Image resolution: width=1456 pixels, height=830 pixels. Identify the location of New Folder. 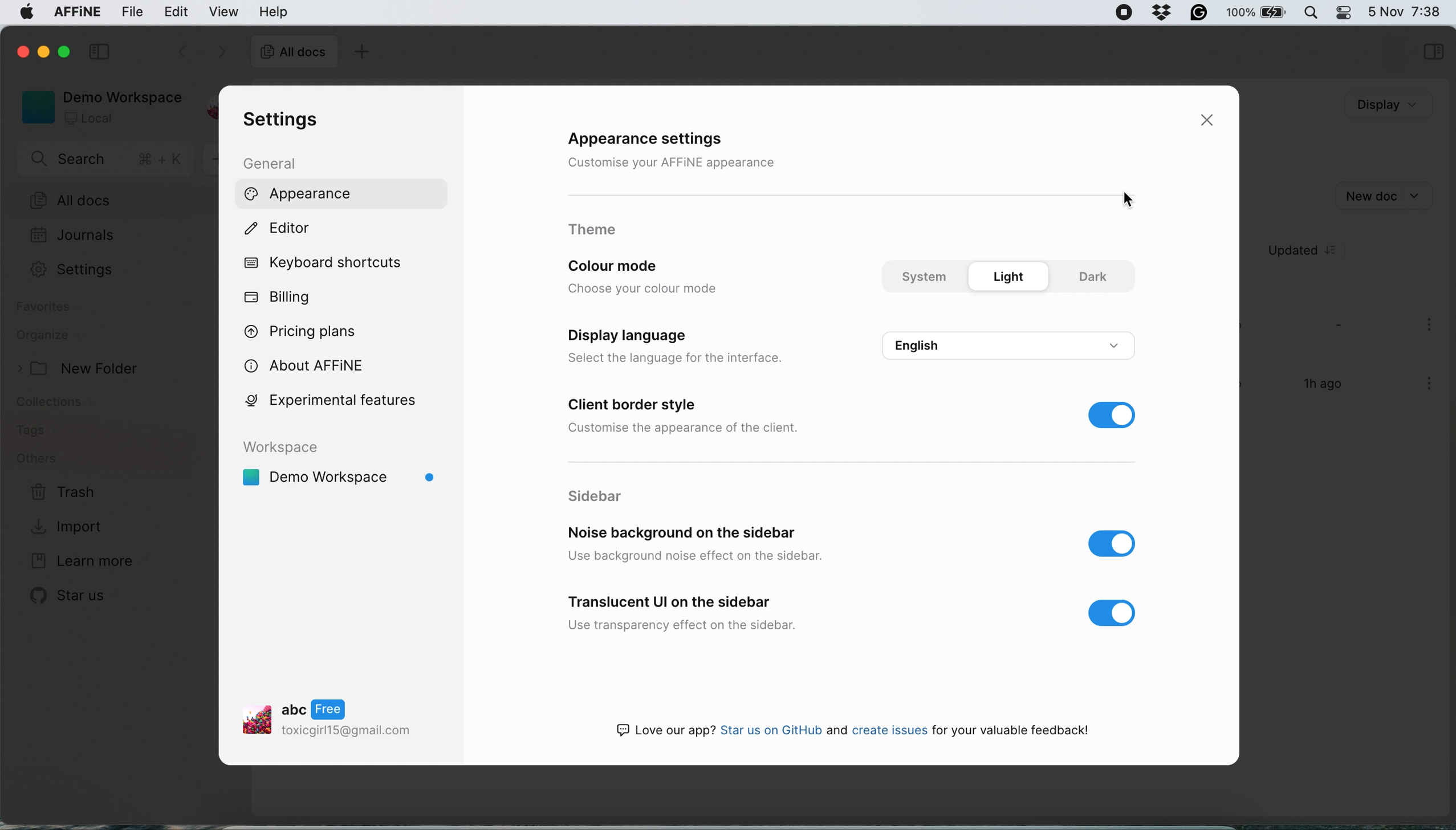
(80, 370).